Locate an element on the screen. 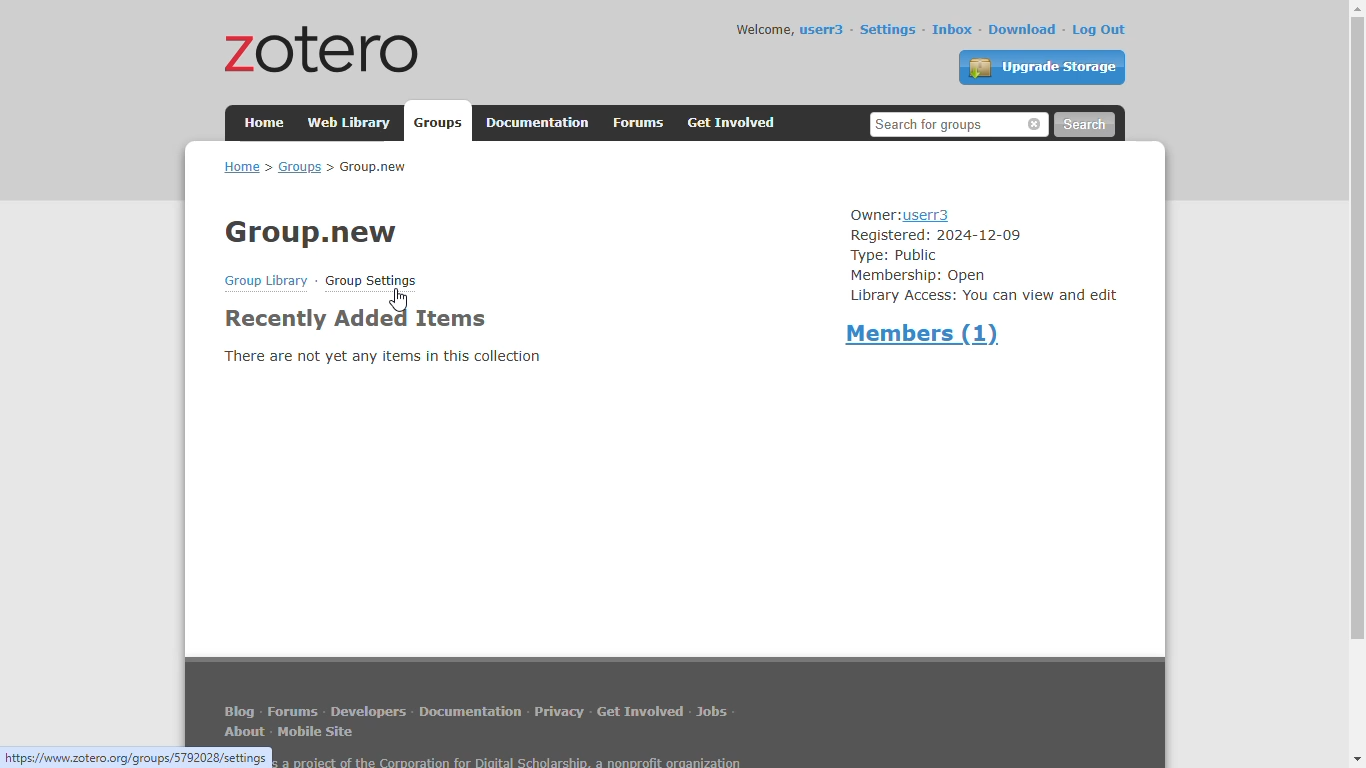 The width and height of the screenshot is (1366, 768). download is located at coordinates (1024, 29).